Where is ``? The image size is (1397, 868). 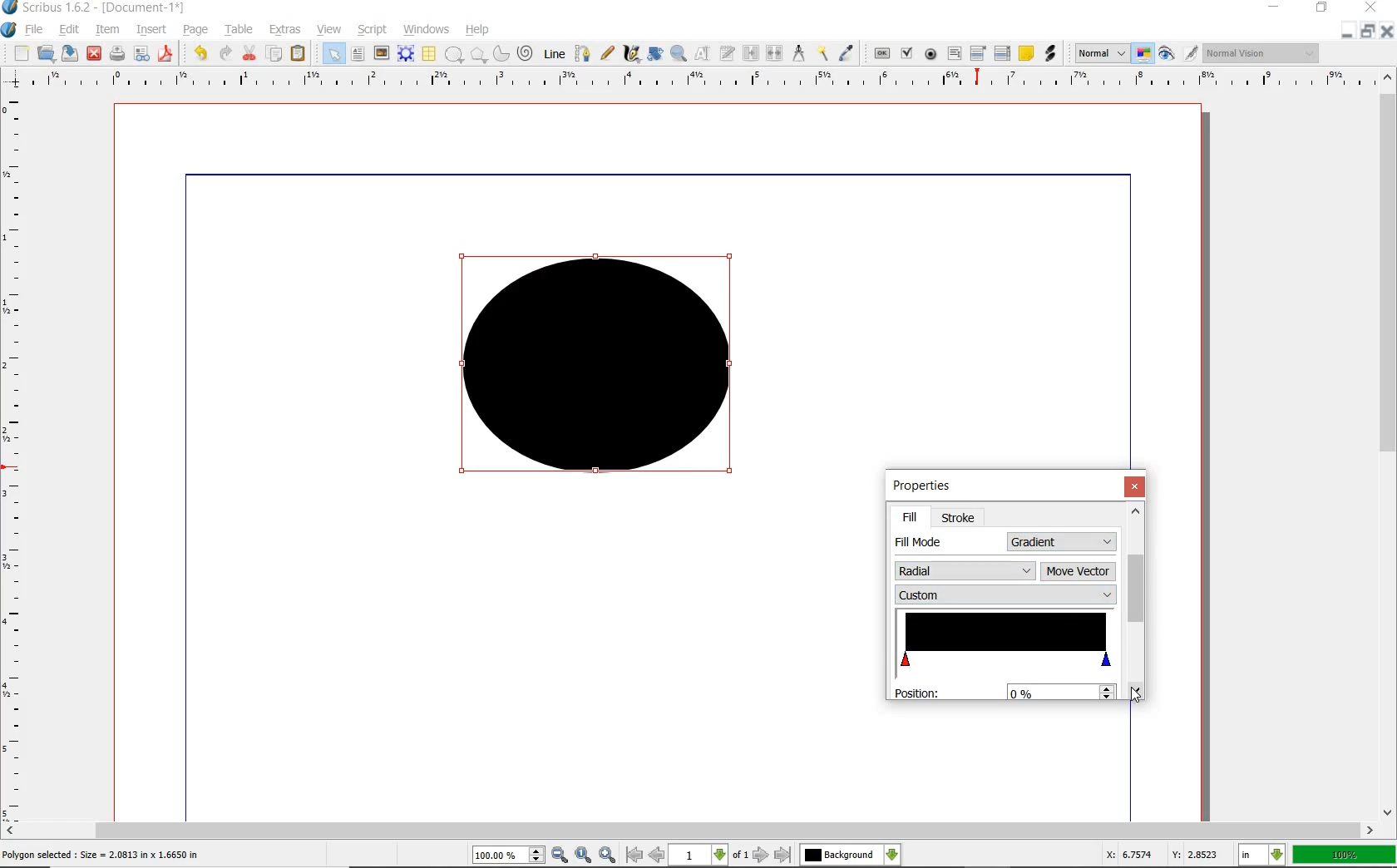
 is located at coordinates (840, 855).